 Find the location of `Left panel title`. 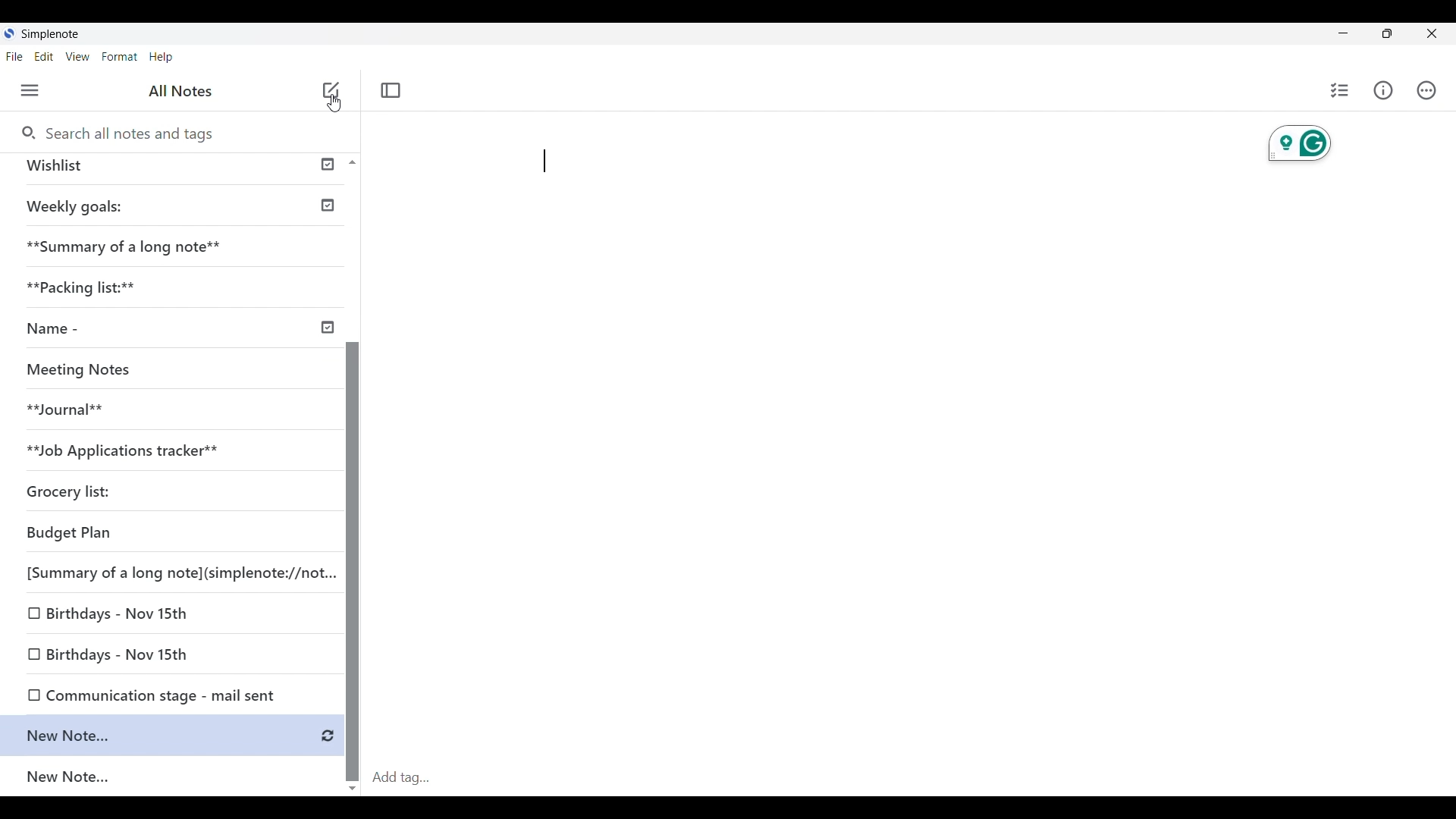

Left panel title is located at coordinates (180, 91).